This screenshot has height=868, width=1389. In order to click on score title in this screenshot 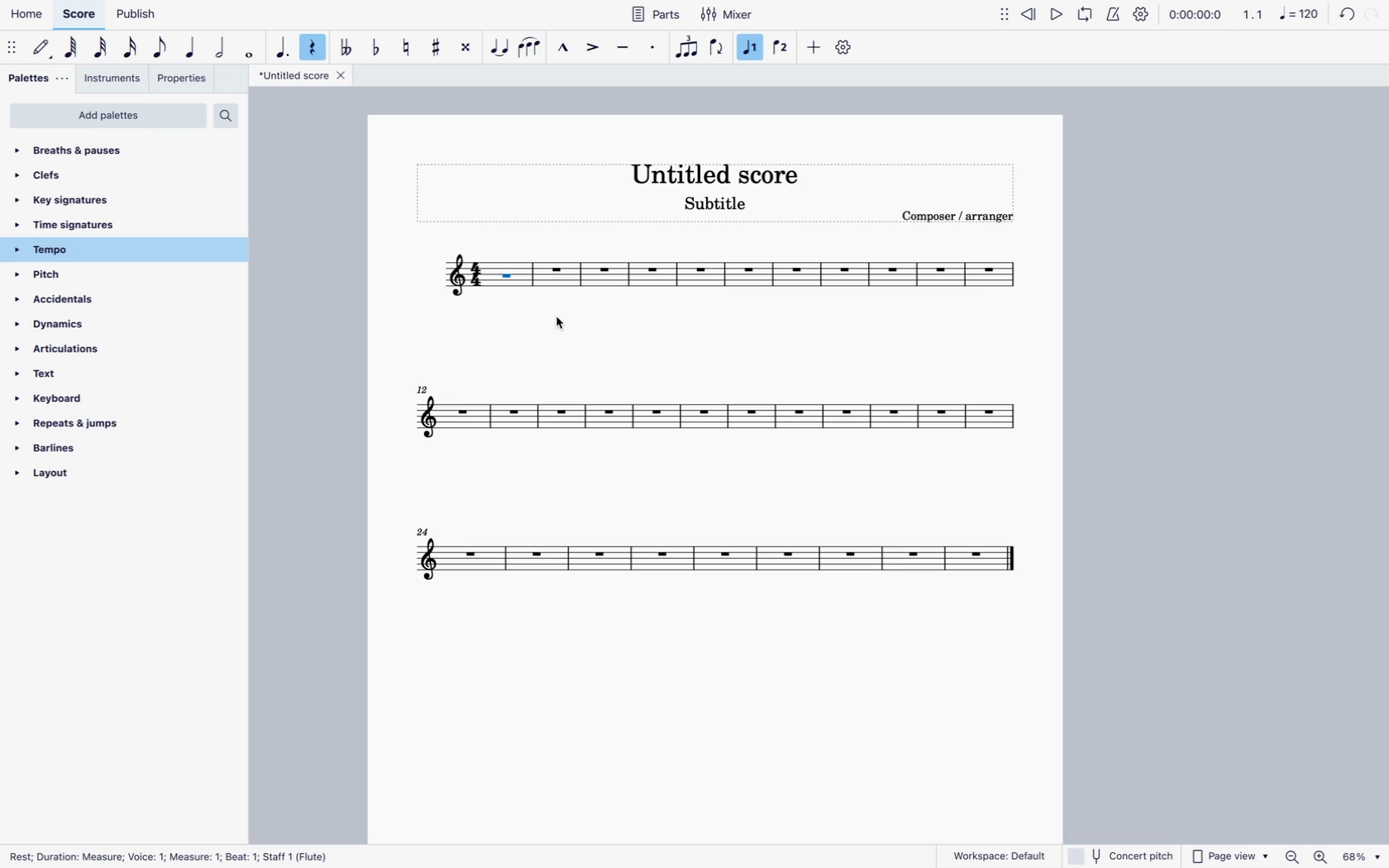, I will do `click(301, 75)`.